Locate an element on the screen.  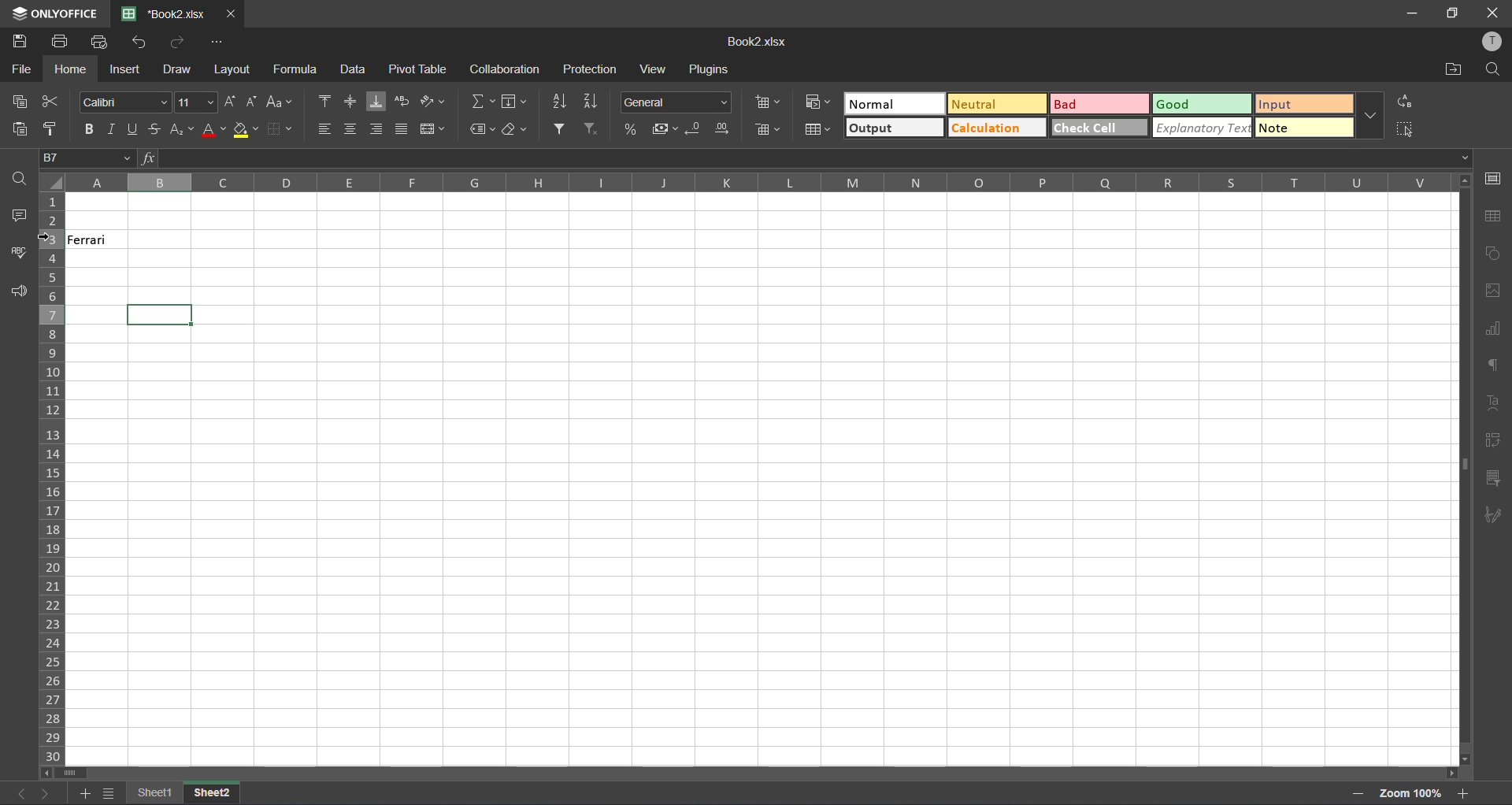
protection is located at coordinates (590, 69).